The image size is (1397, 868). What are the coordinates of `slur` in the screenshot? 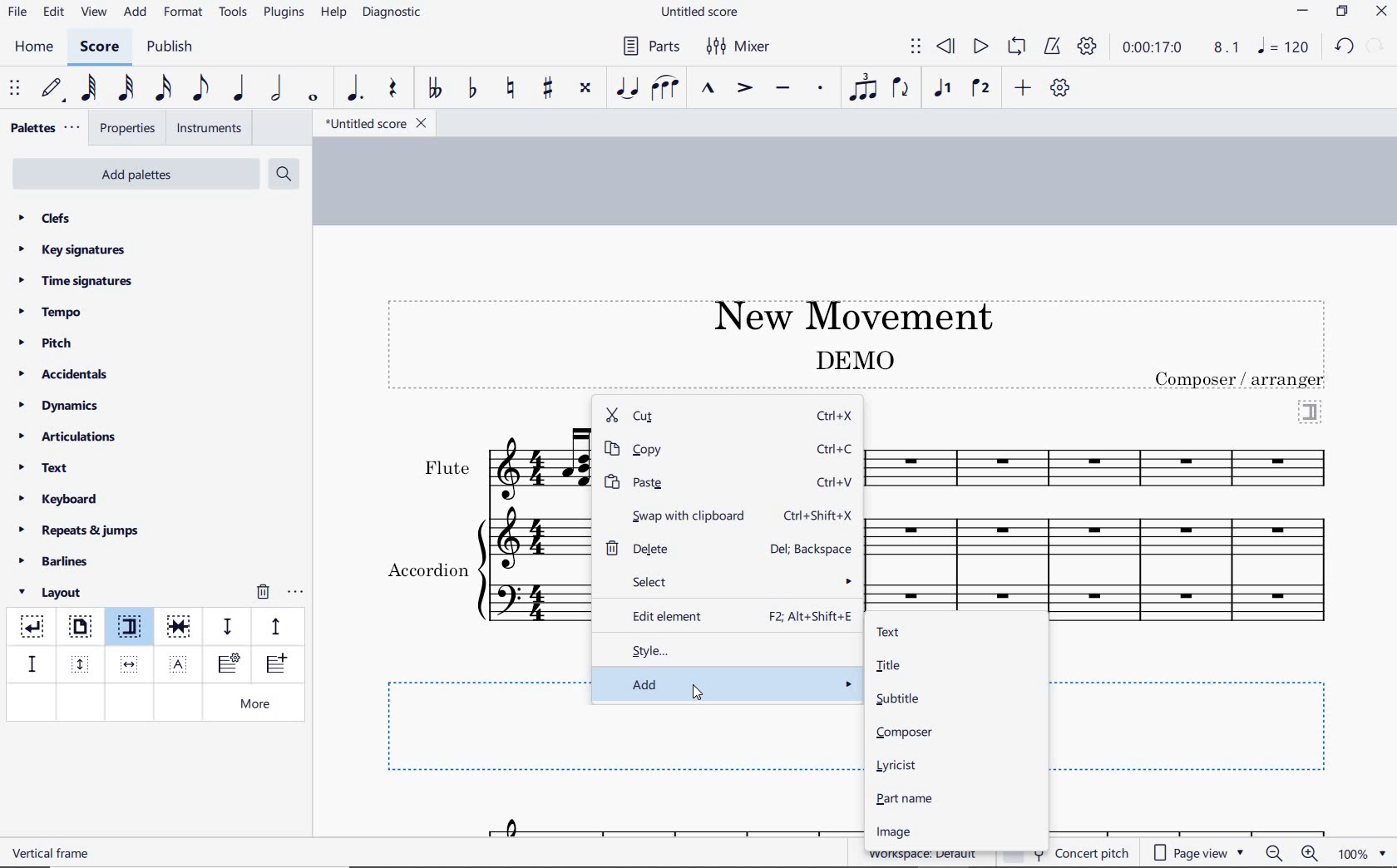 It's located at (666, 89).